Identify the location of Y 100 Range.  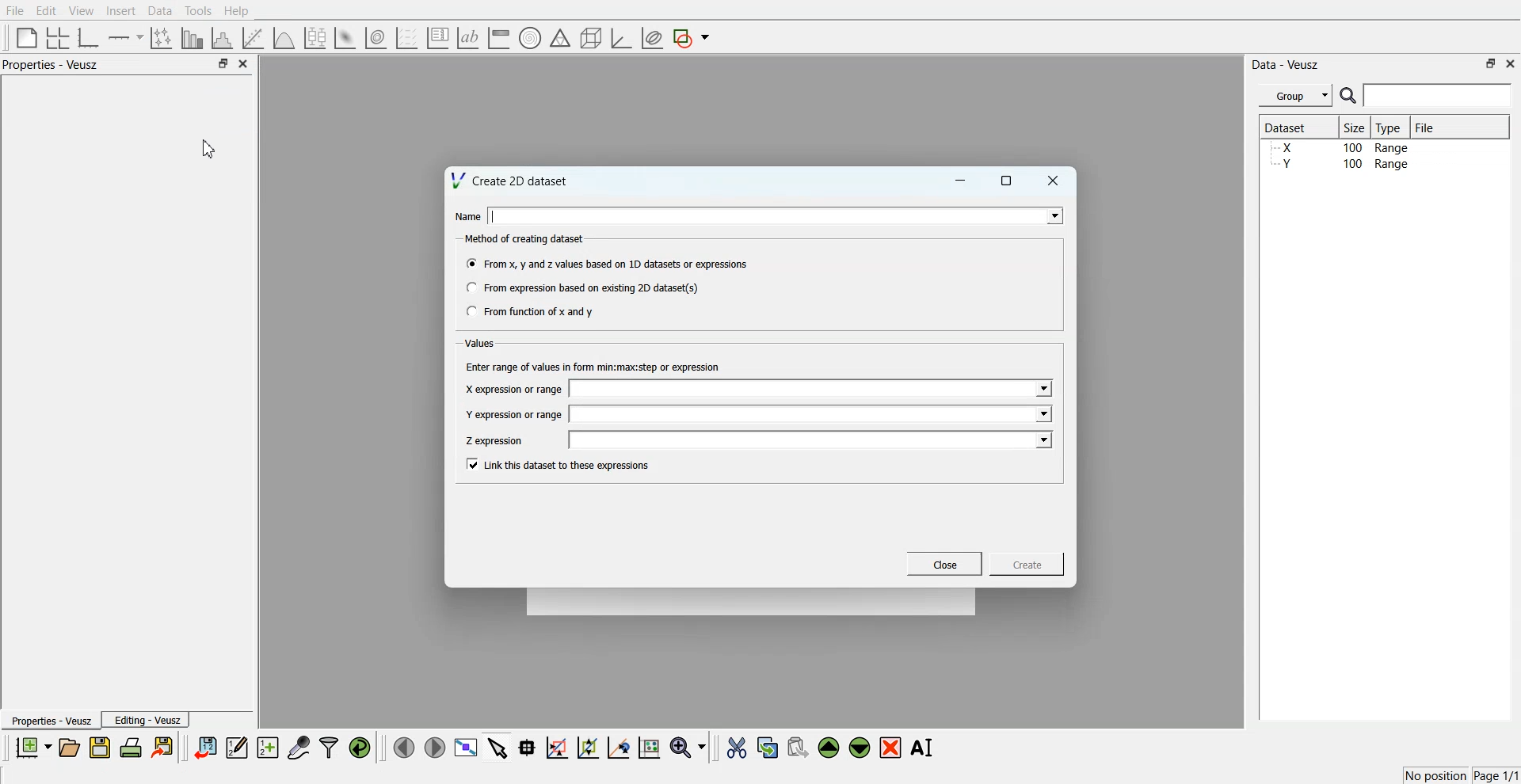
(1341, 164).